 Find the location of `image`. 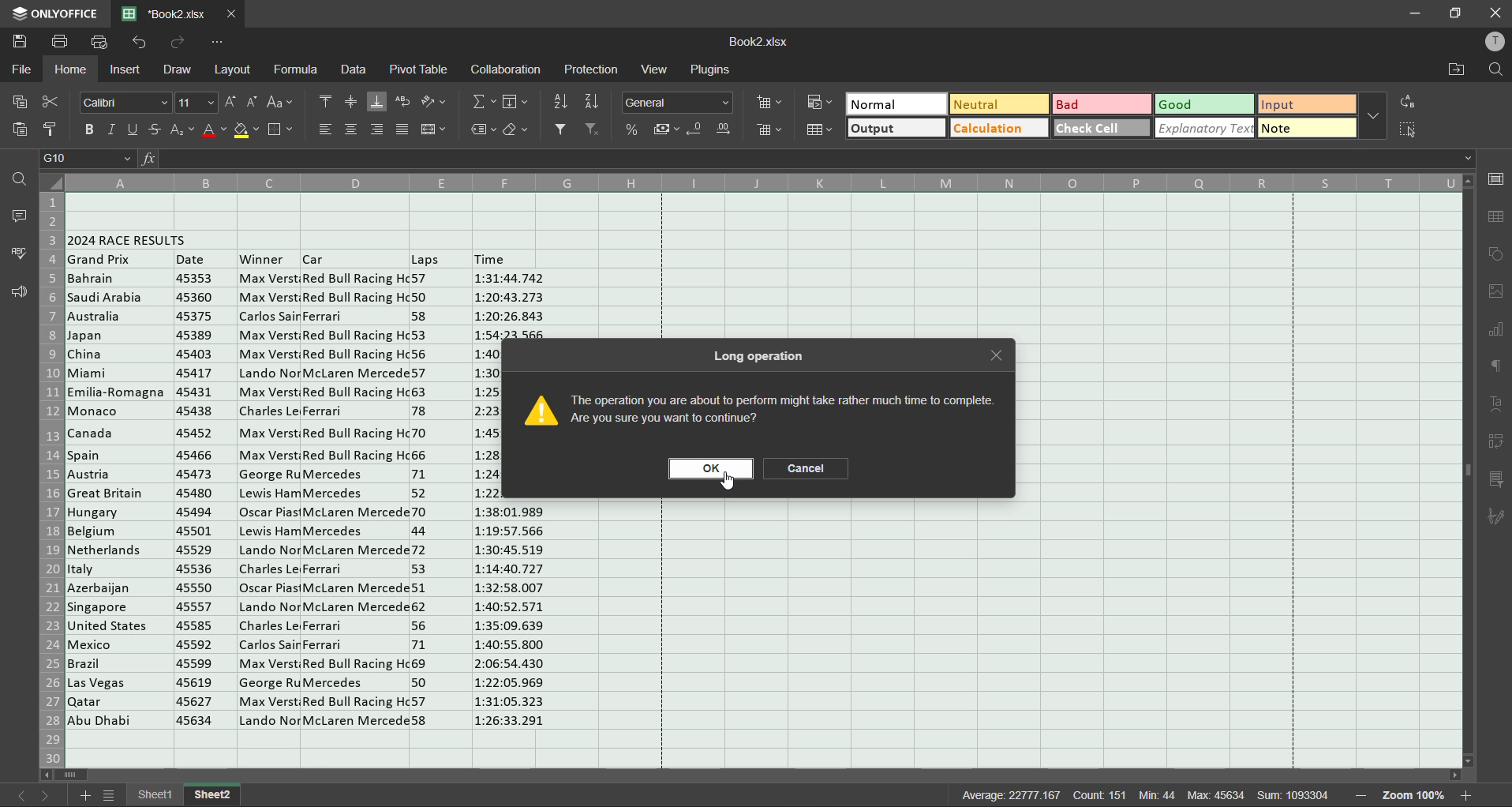

image is located at coordinates (540, 409).